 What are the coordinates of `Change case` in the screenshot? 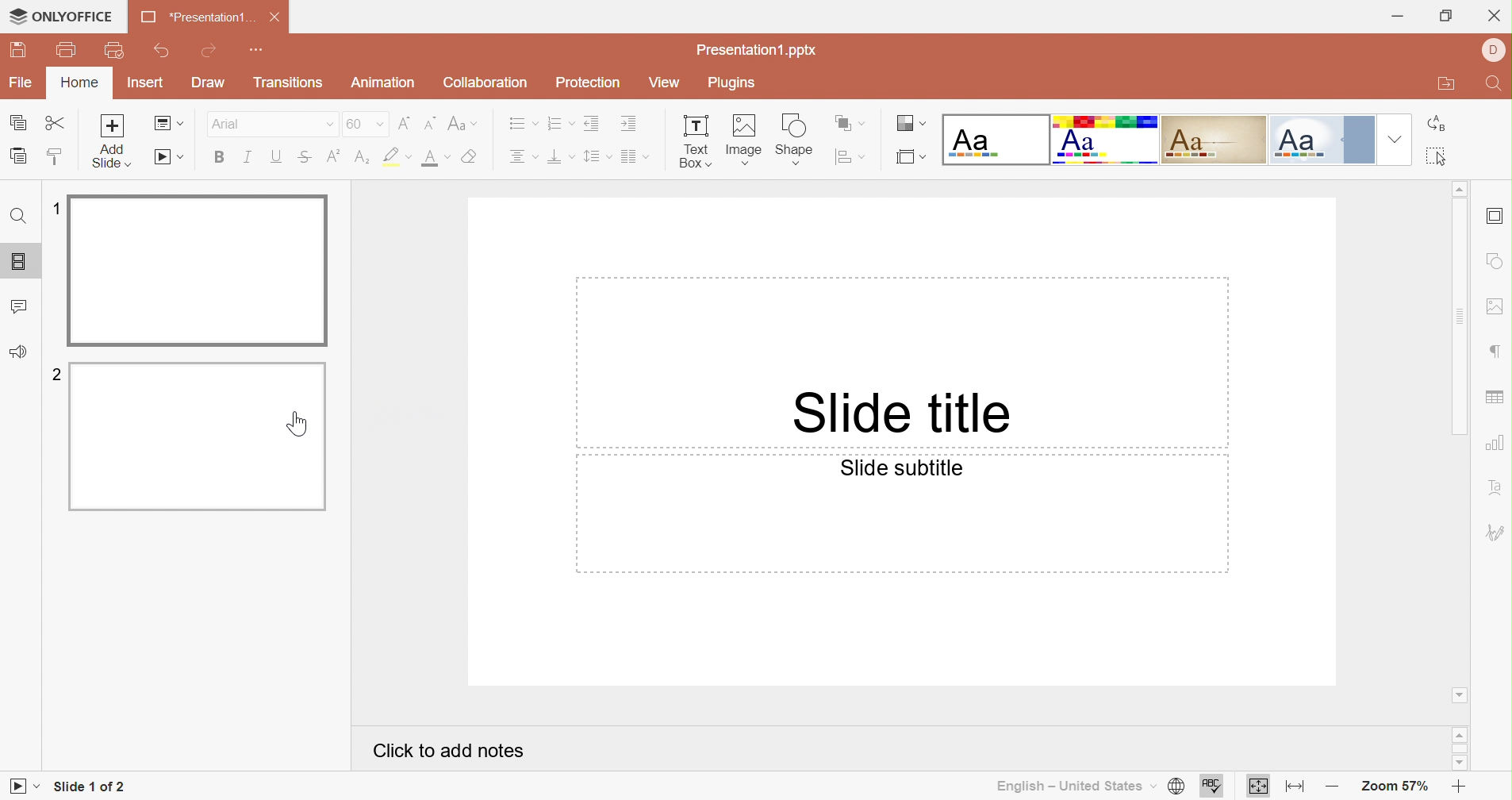 It's located at (462, 122).